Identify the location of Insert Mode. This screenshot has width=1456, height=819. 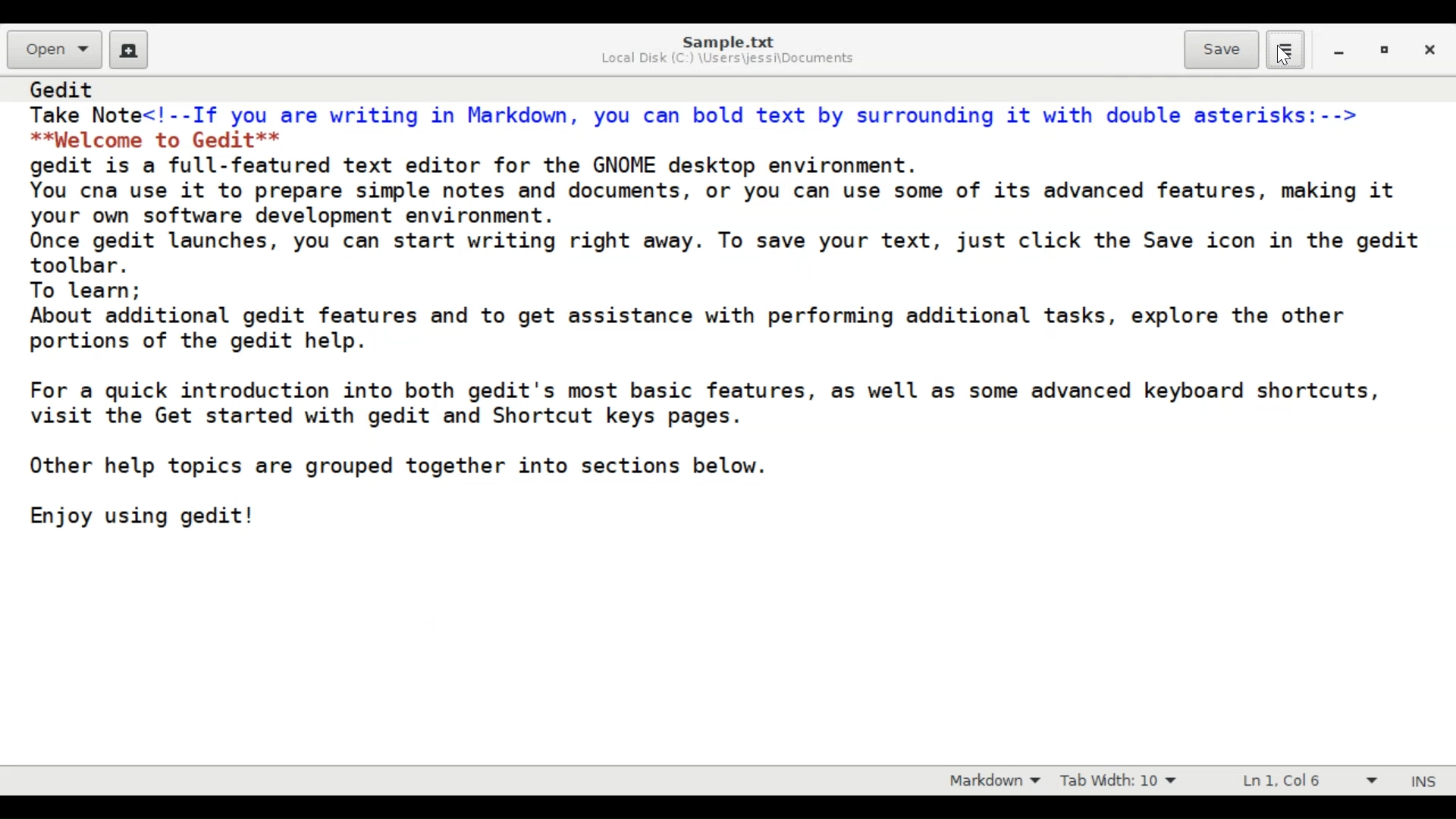
(1422, 780).